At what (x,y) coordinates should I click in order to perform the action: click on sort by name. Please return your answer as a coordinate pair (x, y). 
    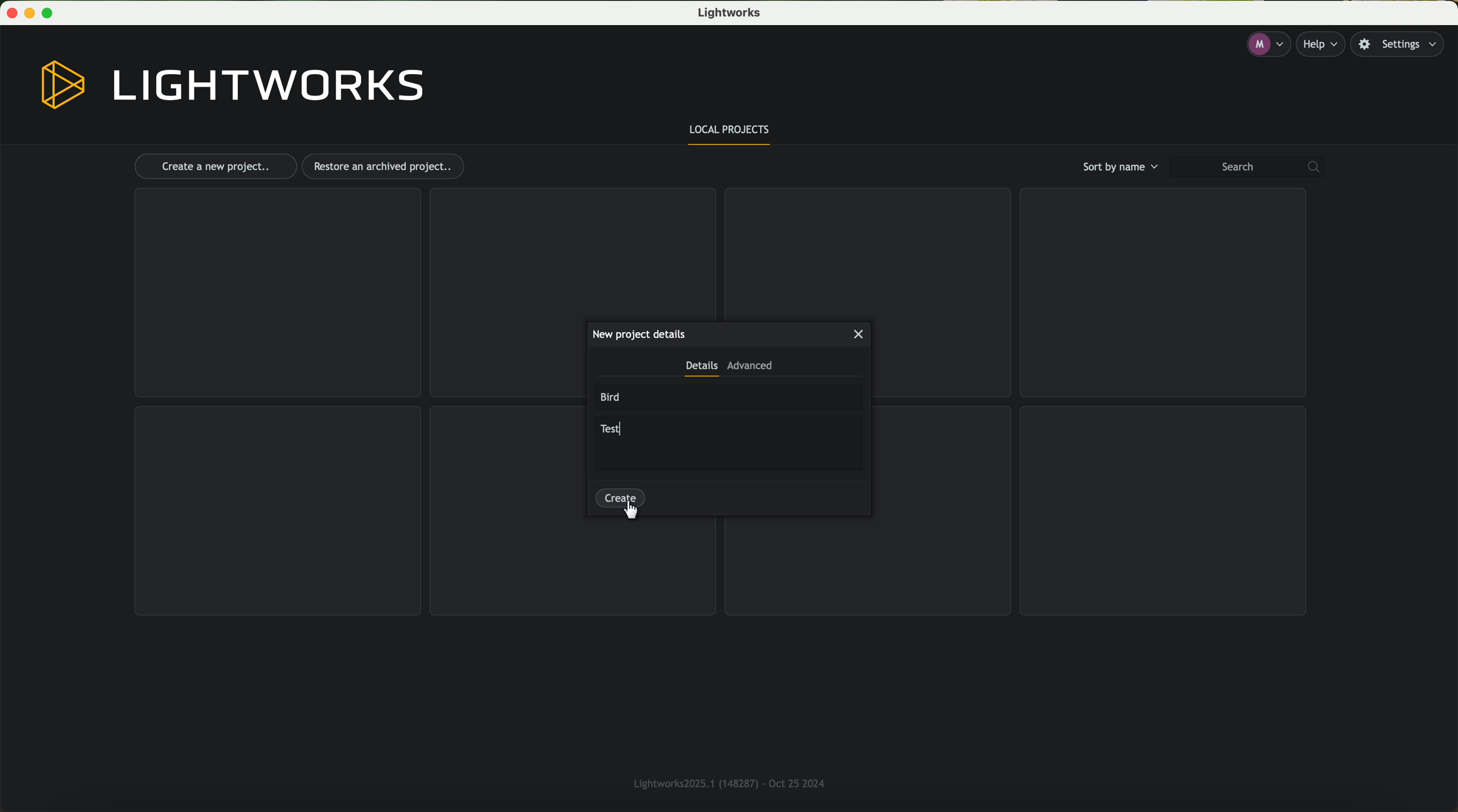
    Looking at the image, I should click on (1118, 166).